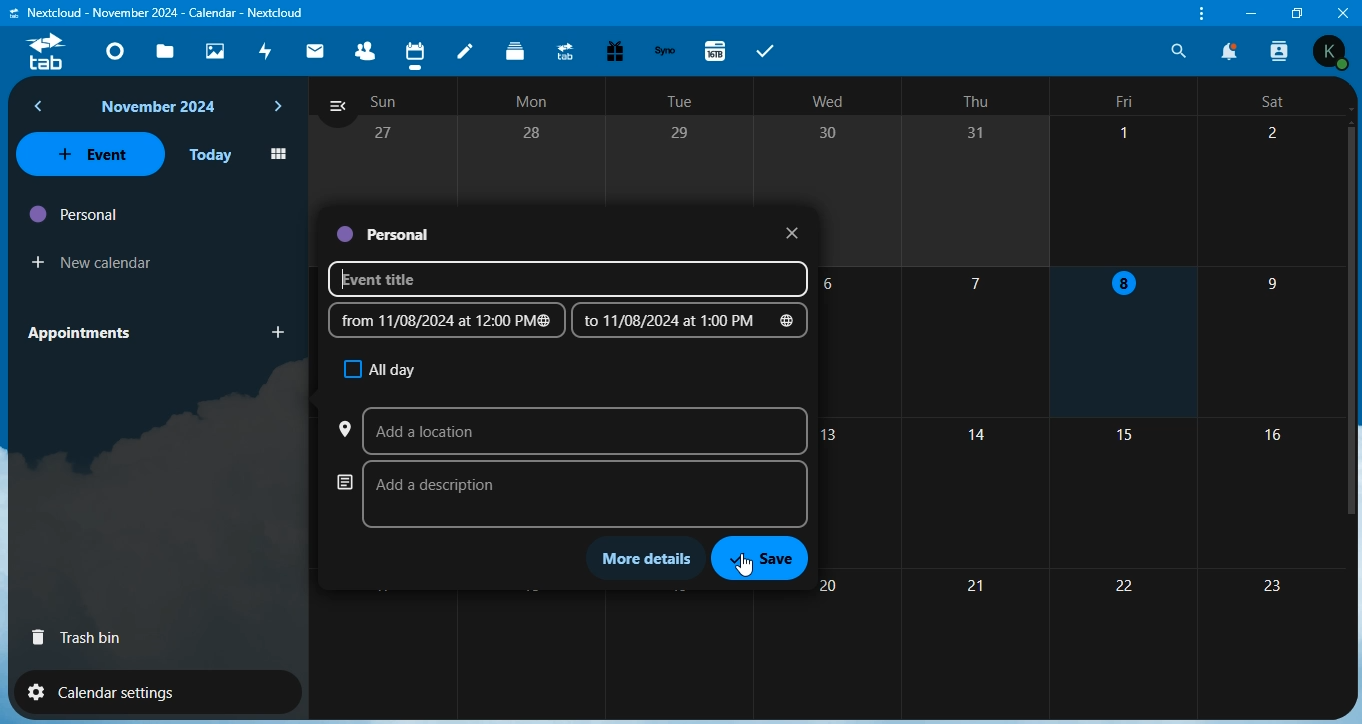 This screenshot has height=724, width=1362. I want to click on photos, so click(216, 52).